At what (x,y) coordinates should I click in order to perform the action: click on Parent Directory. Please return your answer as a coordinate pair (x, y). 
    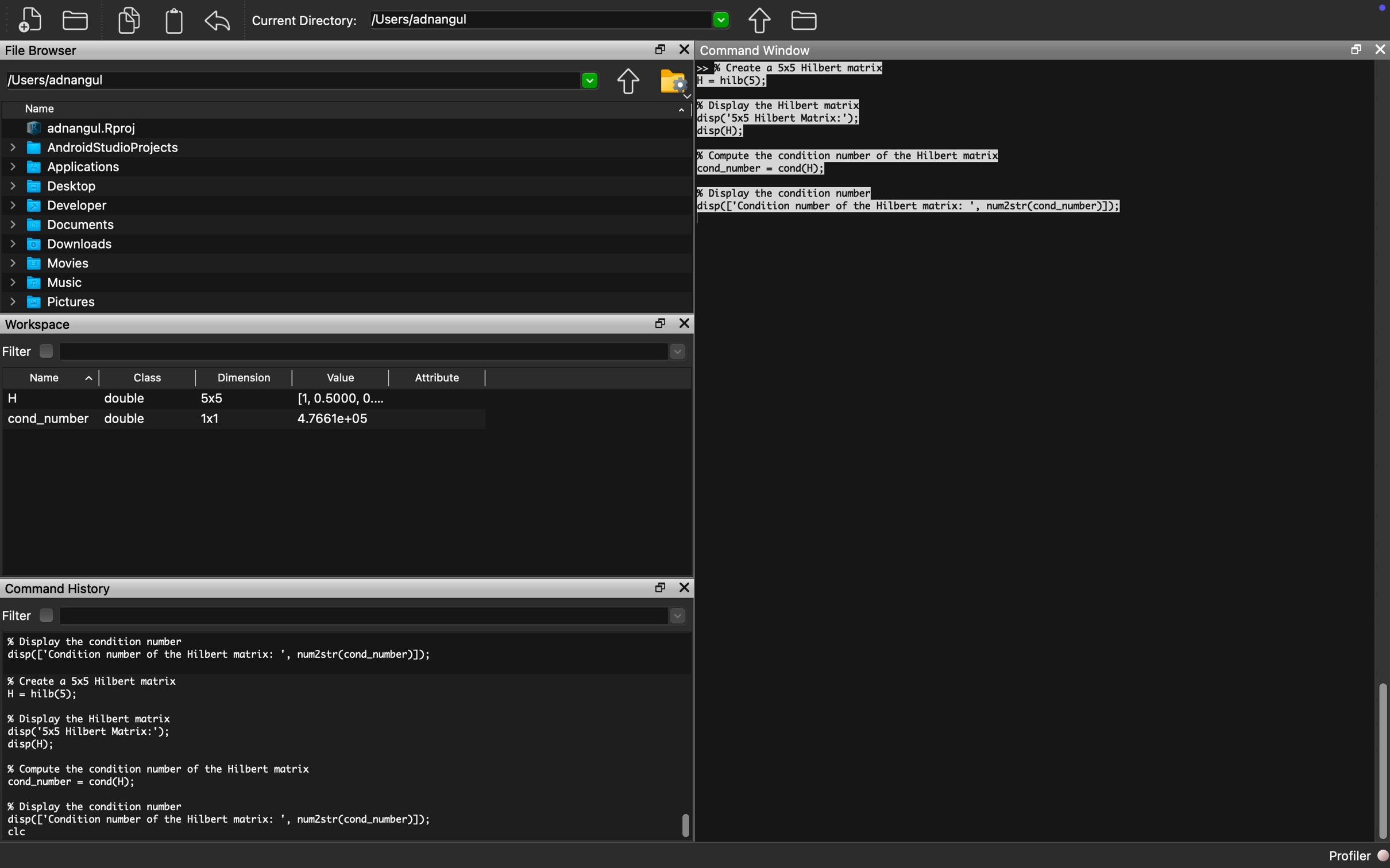
    Looking at the image, I should click on (629, 81).